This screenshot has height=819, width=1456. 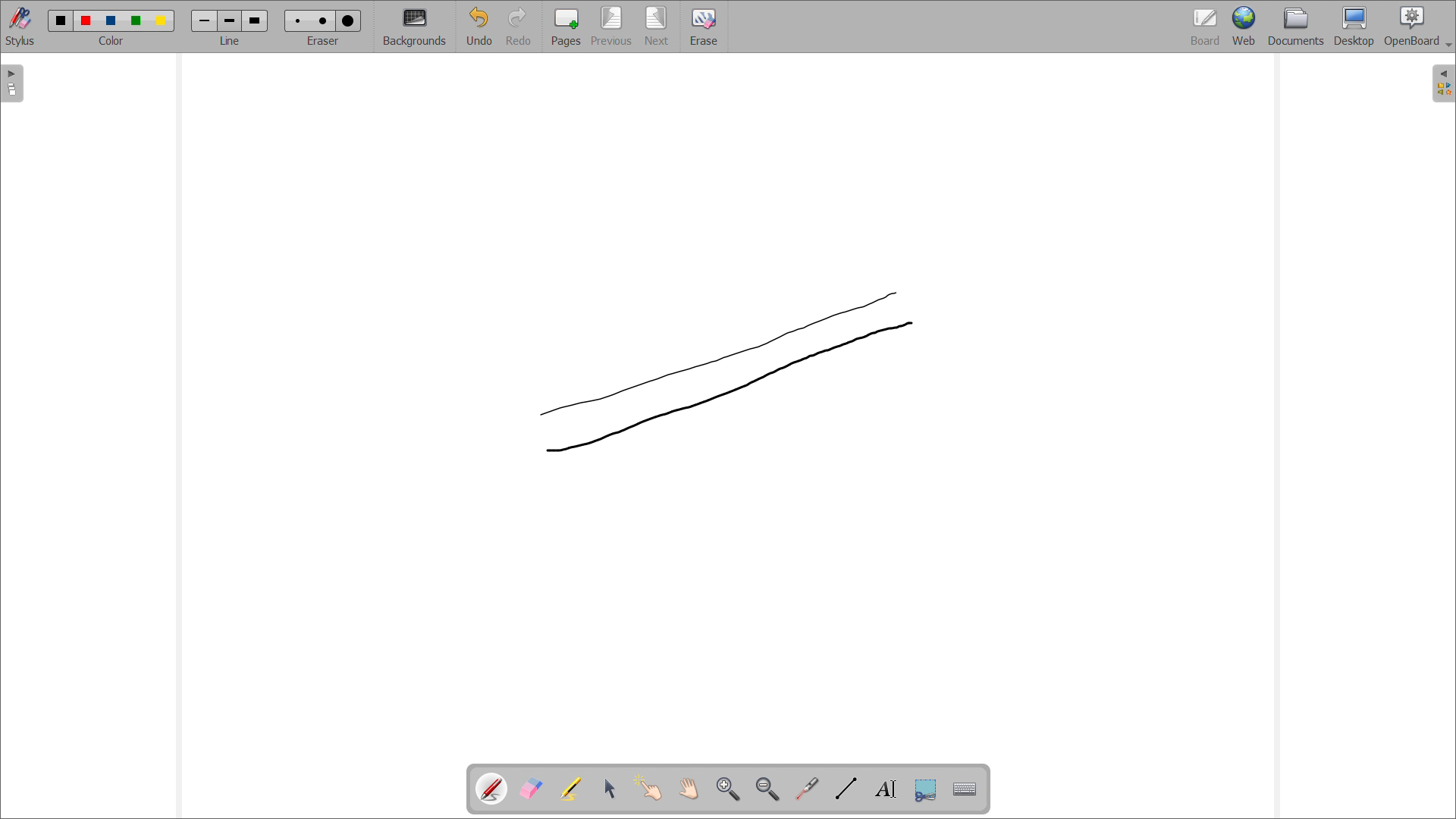 What do you see at coordinates (231, 22) in the screenshot?
I see `line width size` at bounding box center [231, 22].